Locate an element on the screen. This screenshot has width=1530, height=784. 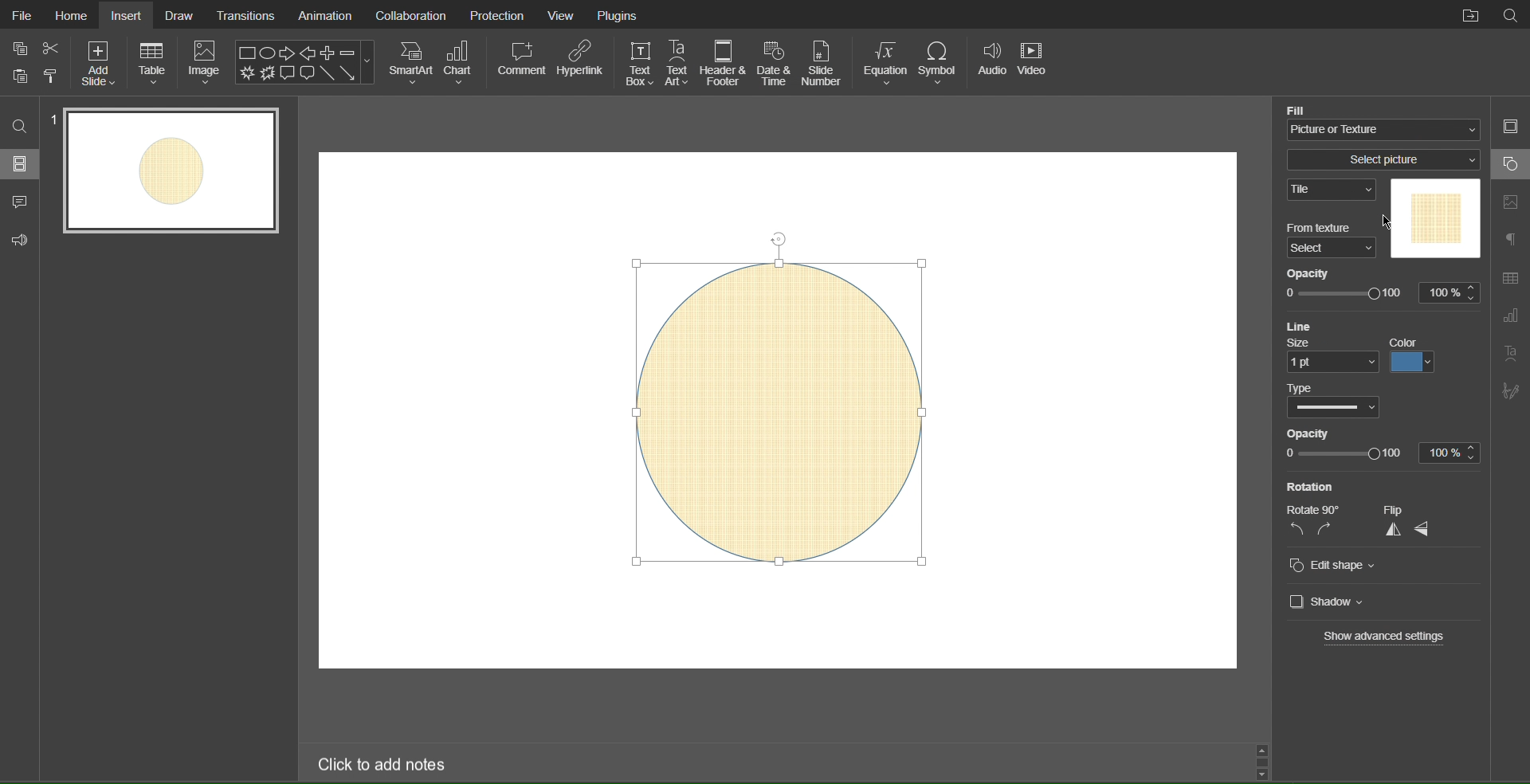
Text Art is located at coordinates (680, 62).